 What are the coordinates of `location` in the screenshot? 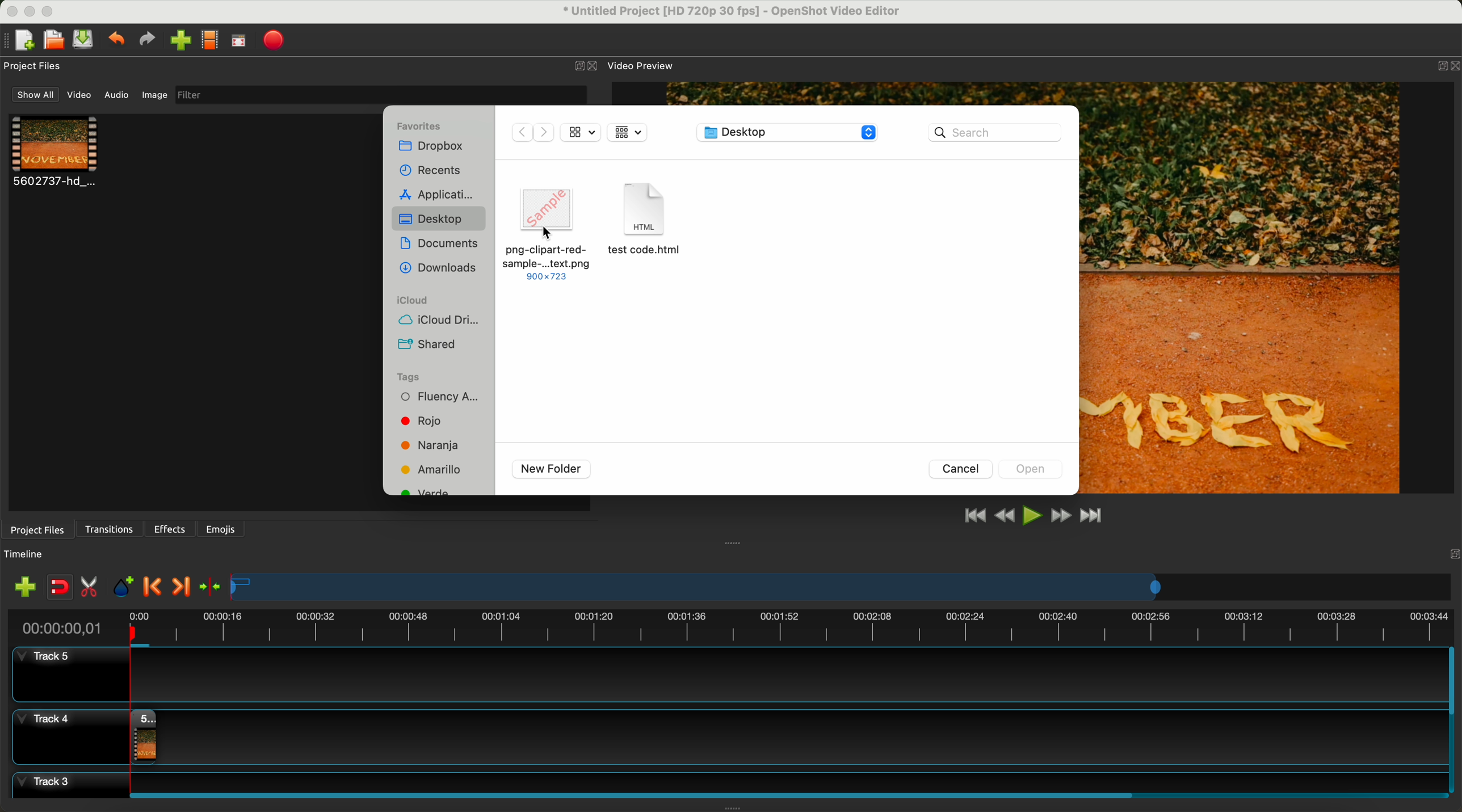 It's located at (788, 133).